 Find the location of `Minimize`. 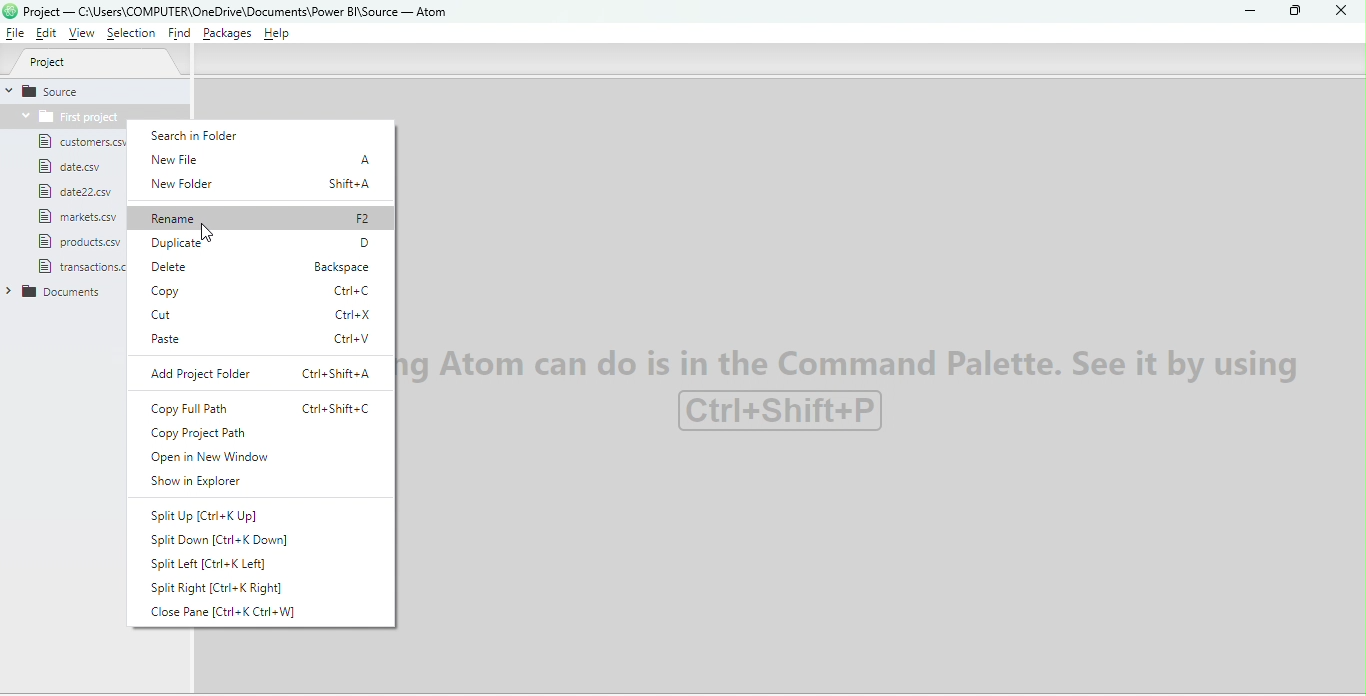

Minimize is located at coordinates (1247, 11).